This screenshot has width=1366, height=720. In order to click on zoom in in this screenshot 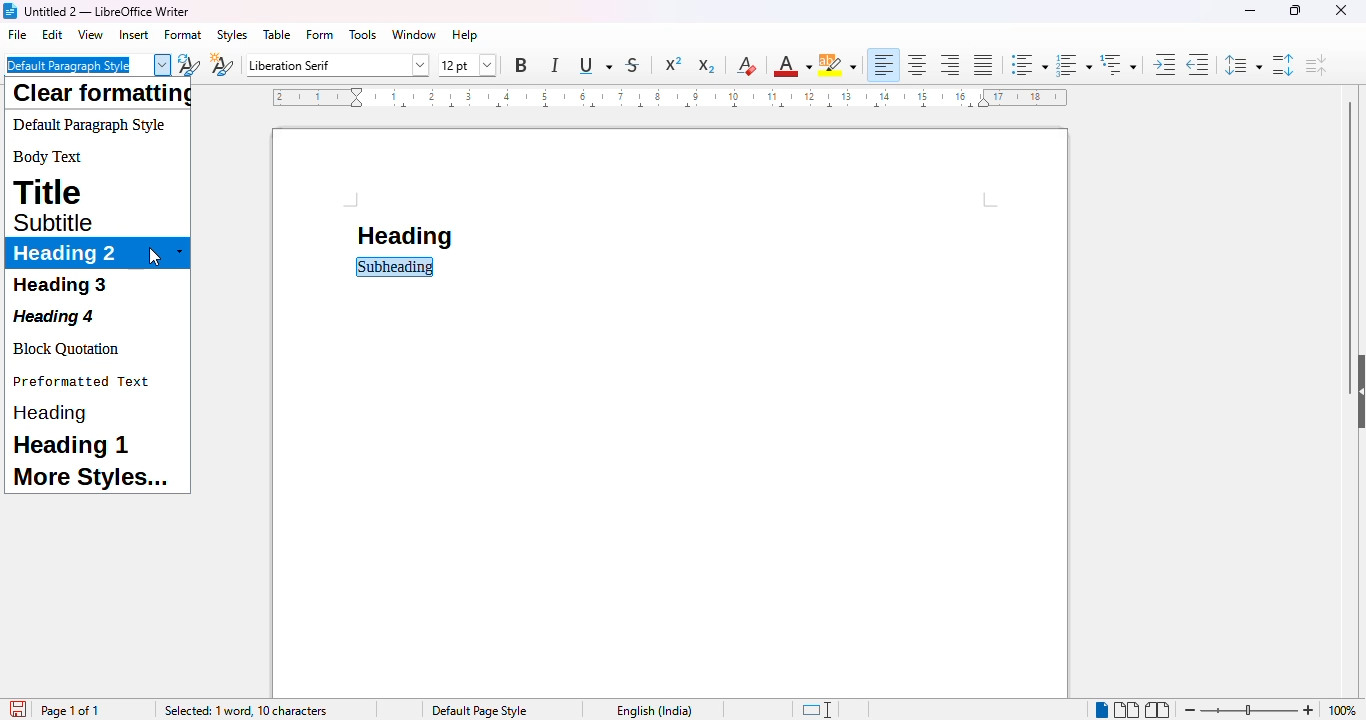, I will do `click(1308, 710)`.